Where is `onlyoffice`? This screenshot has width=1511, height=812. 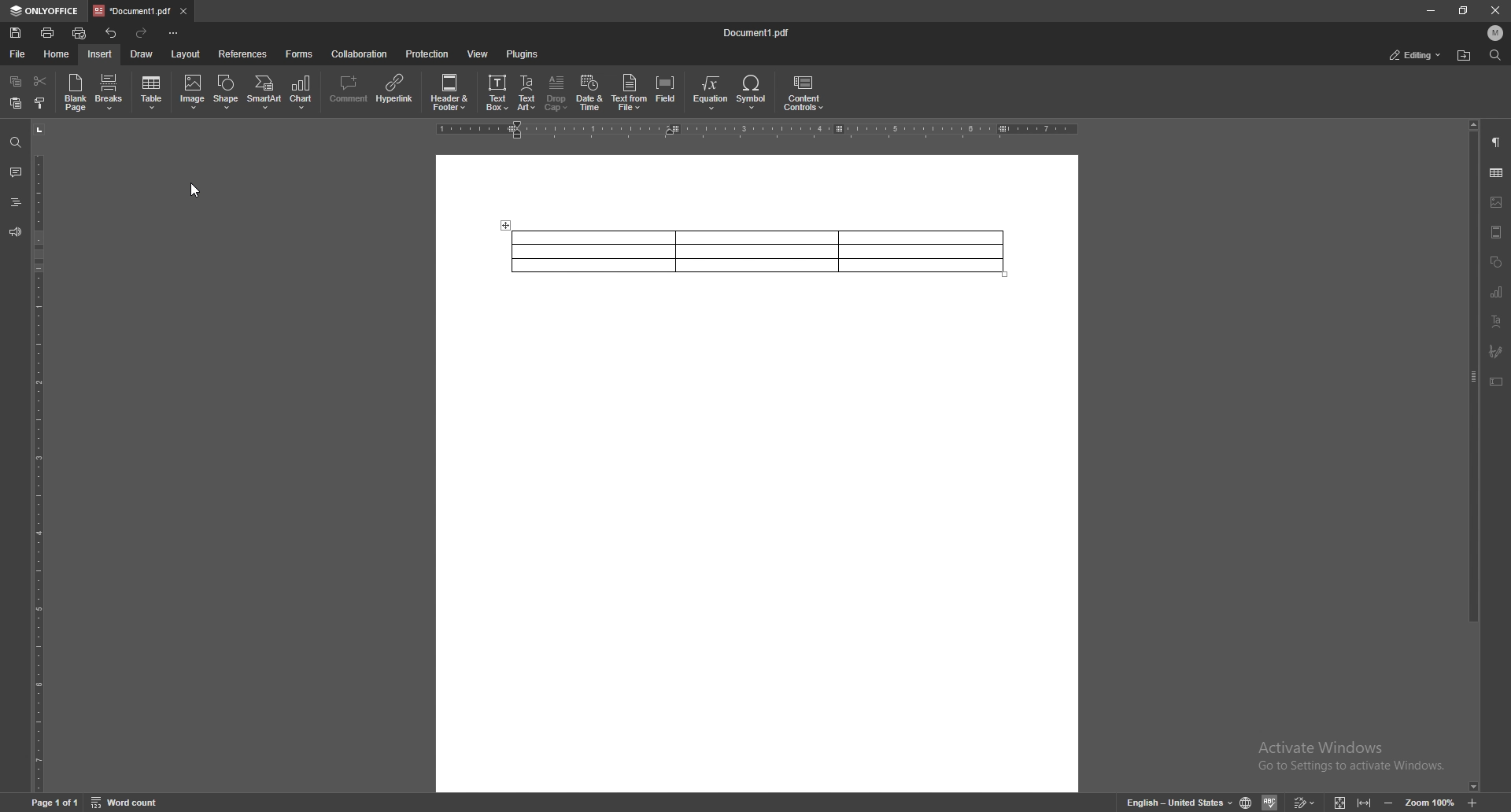 onlyoffice is located at coordinates (47, 12).